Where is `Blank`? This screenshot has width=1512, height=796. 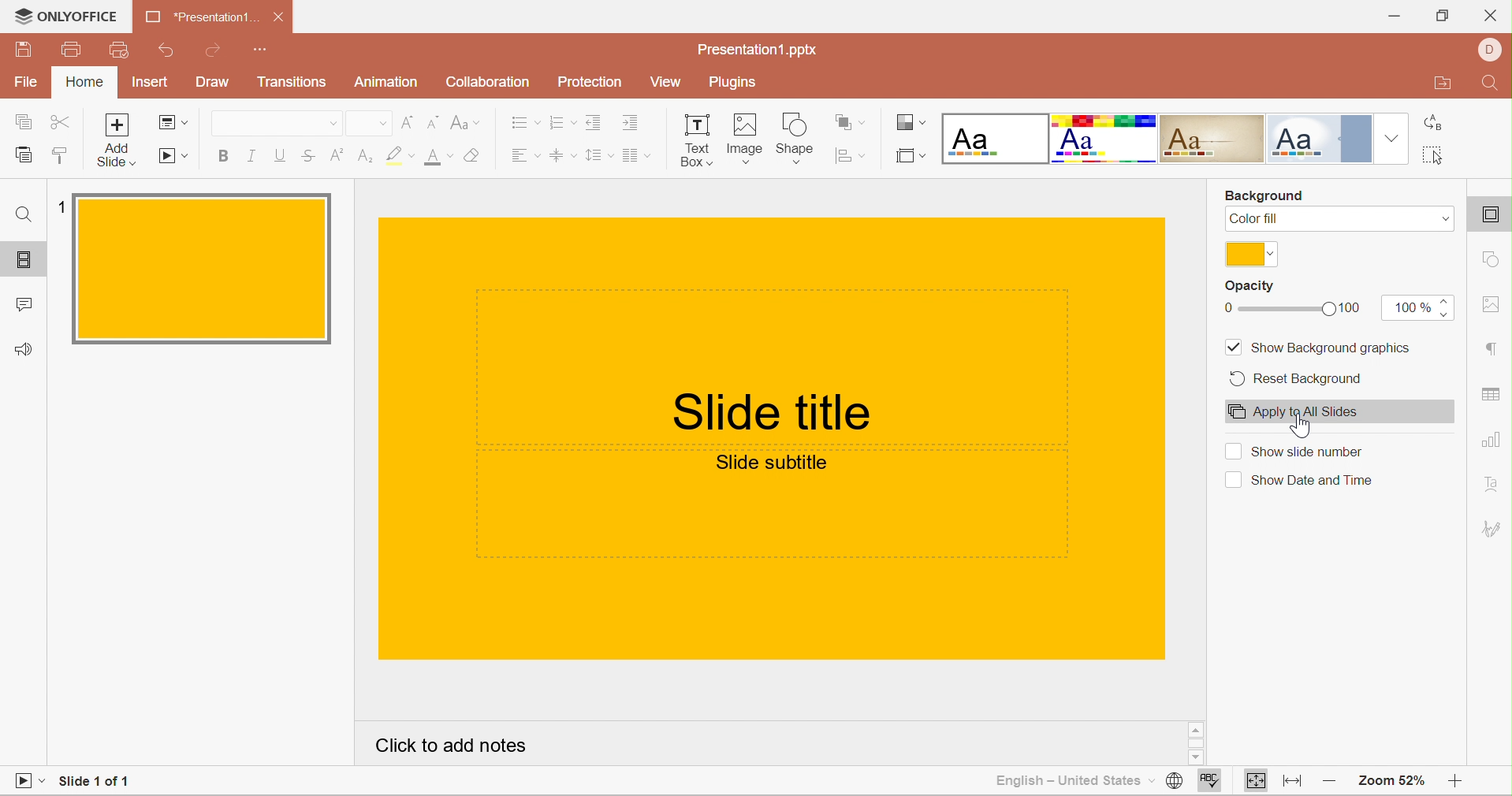 Blank is located at coordinates (995, 138).